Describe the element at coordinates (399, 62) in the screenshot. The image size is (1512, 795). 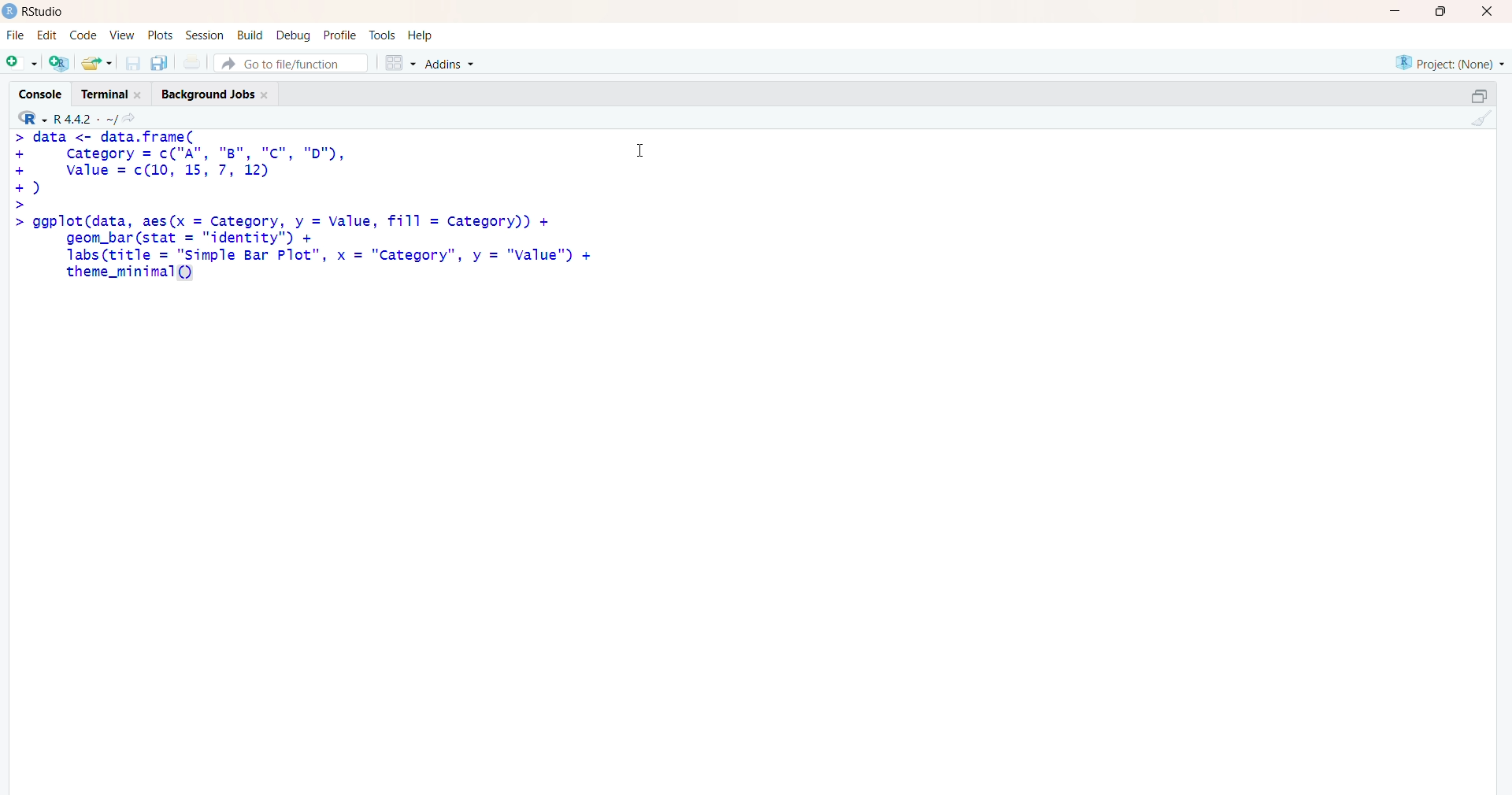
I see `grid view` at that location.